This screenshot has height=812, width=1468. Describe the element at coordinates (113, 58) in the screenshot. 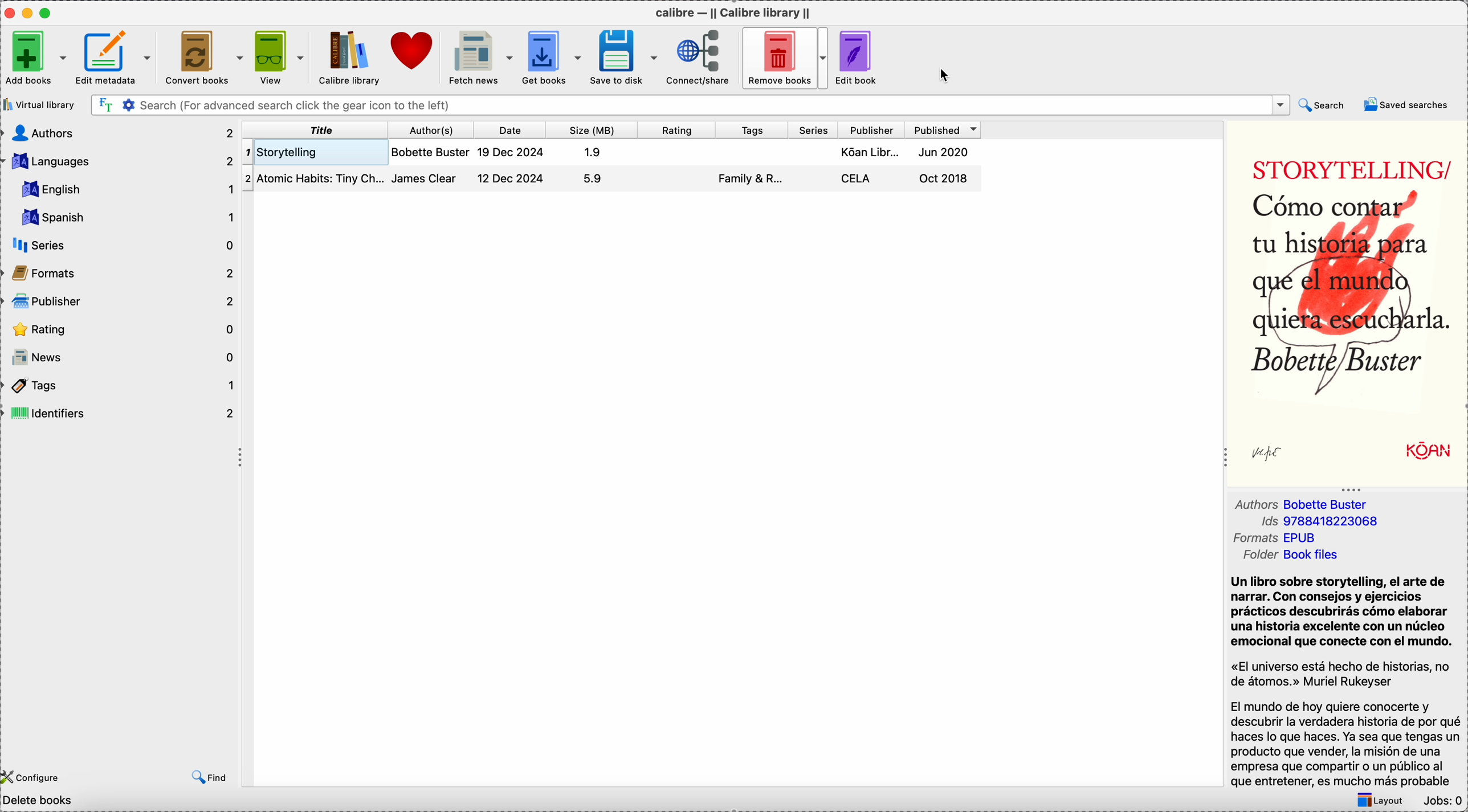

I see `edit metadata` at that location.